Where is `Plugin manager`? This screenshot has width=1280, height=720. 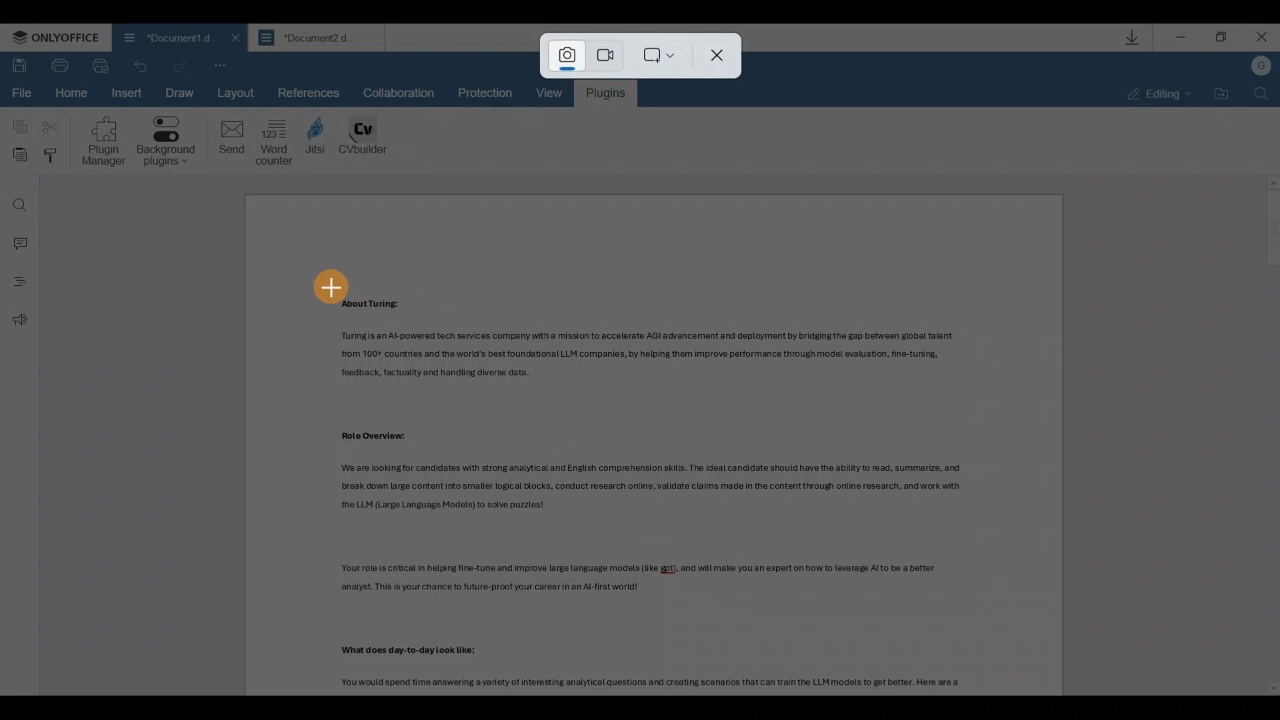 Plugin manager is located at coordinates (102, 143).